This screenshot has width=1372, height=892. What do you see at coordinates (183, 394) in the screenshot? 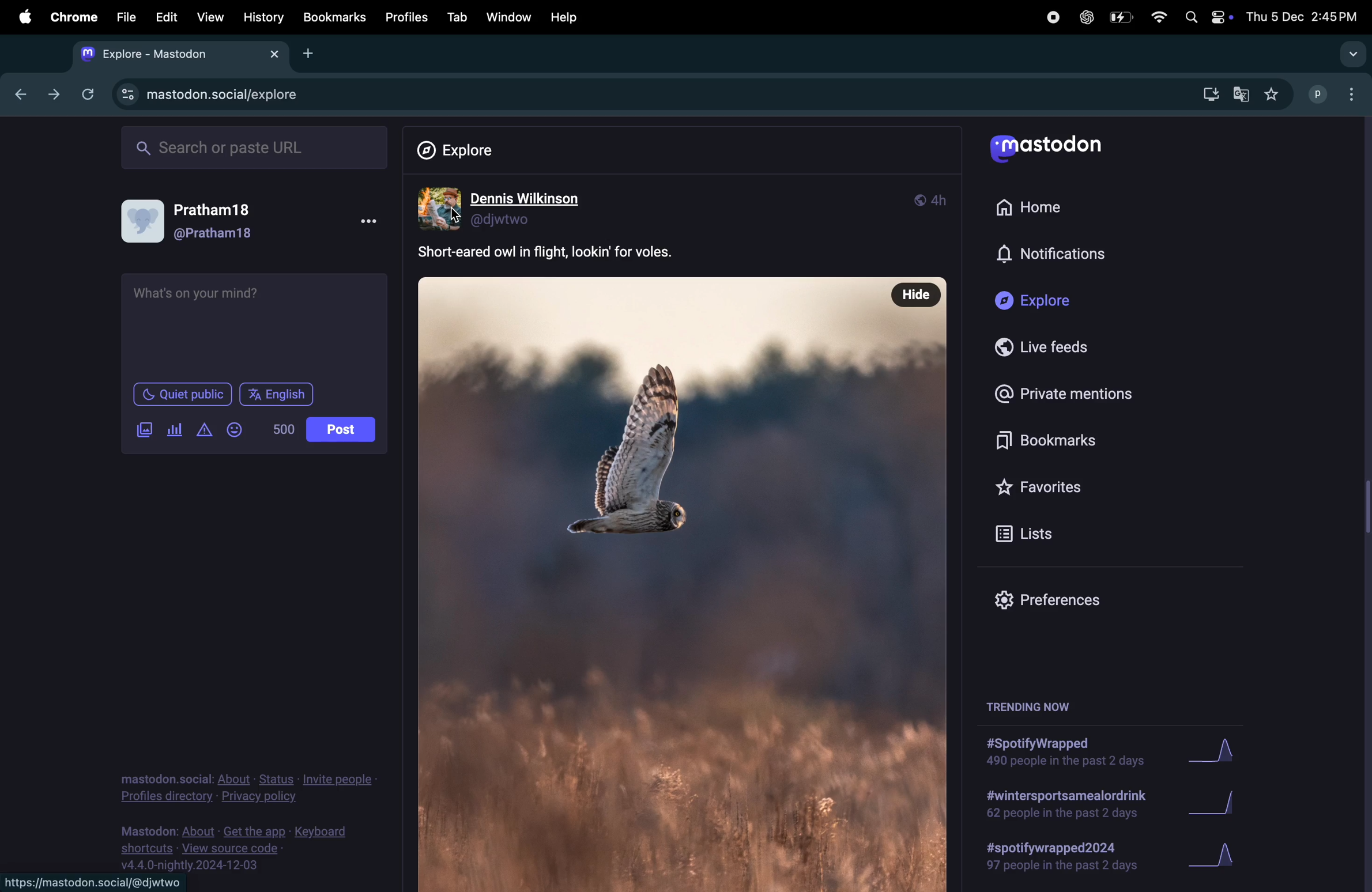
I see `Quiet public` at bounding box center [183, 394].